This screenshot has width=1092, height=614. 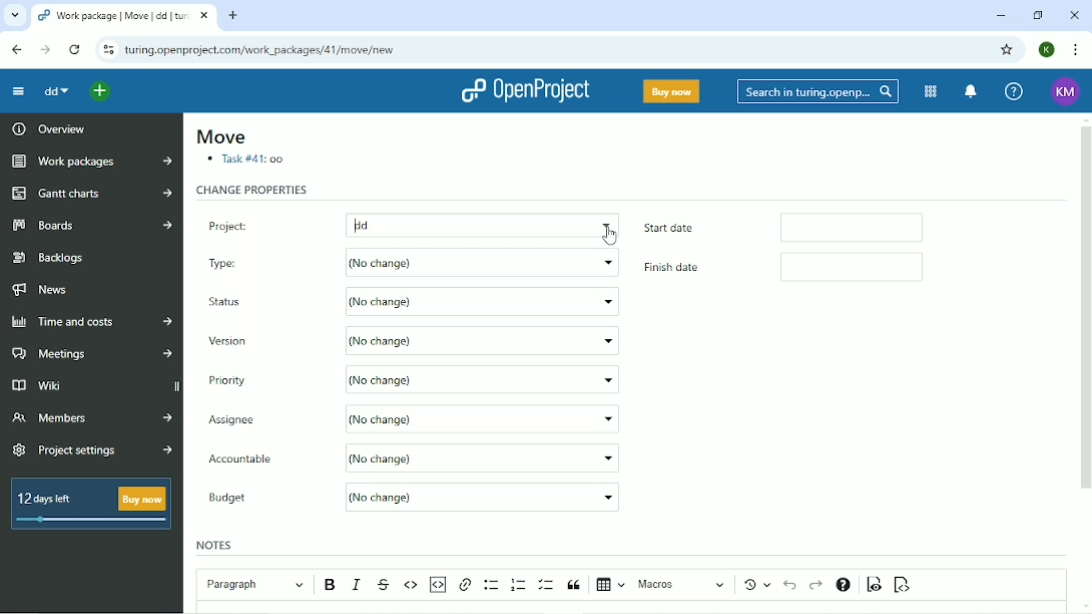 I want to click on No change, so click(x=479, y=263).